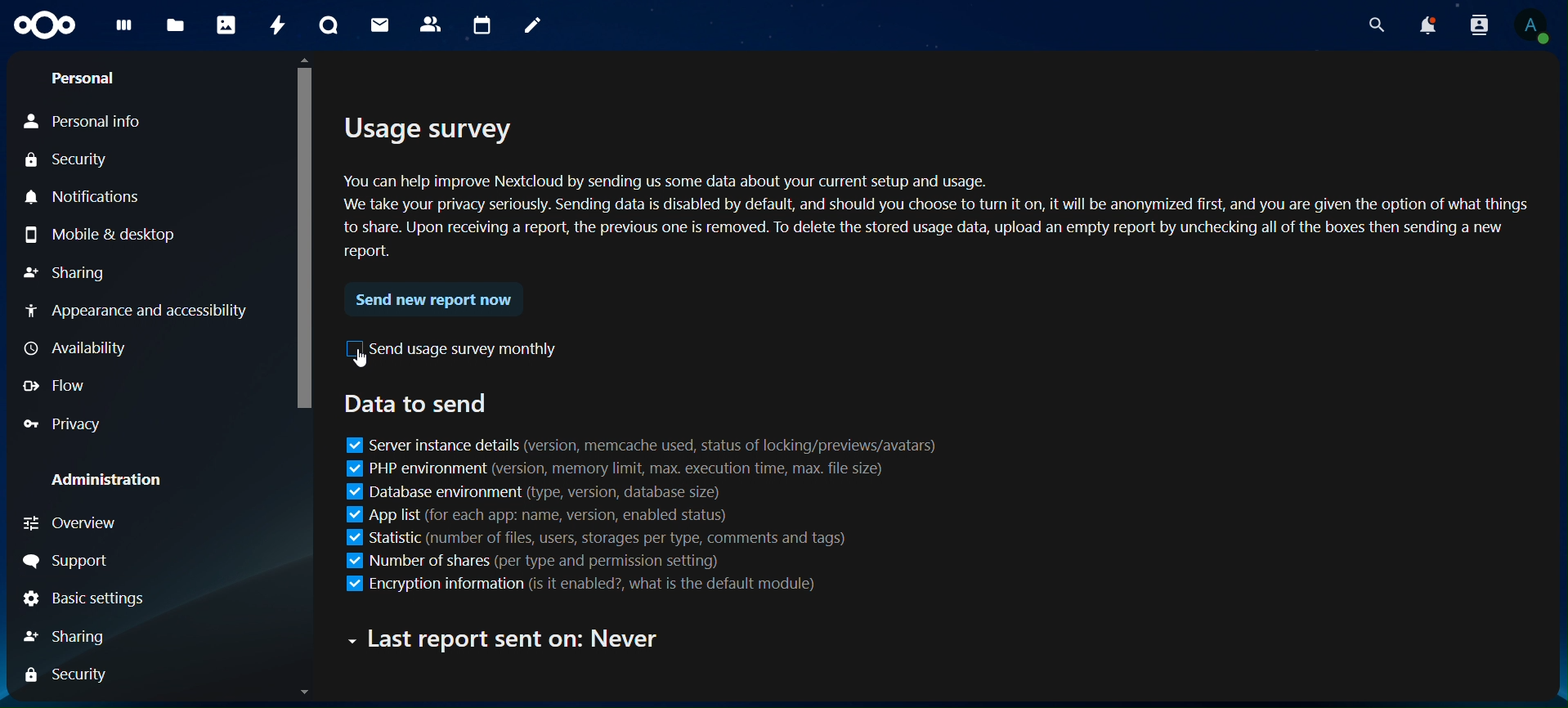 This screenshot has width=1568, height=708. Describe the element at coordinates (605, 585) in the screenshot. I see `encryption information` at that location.